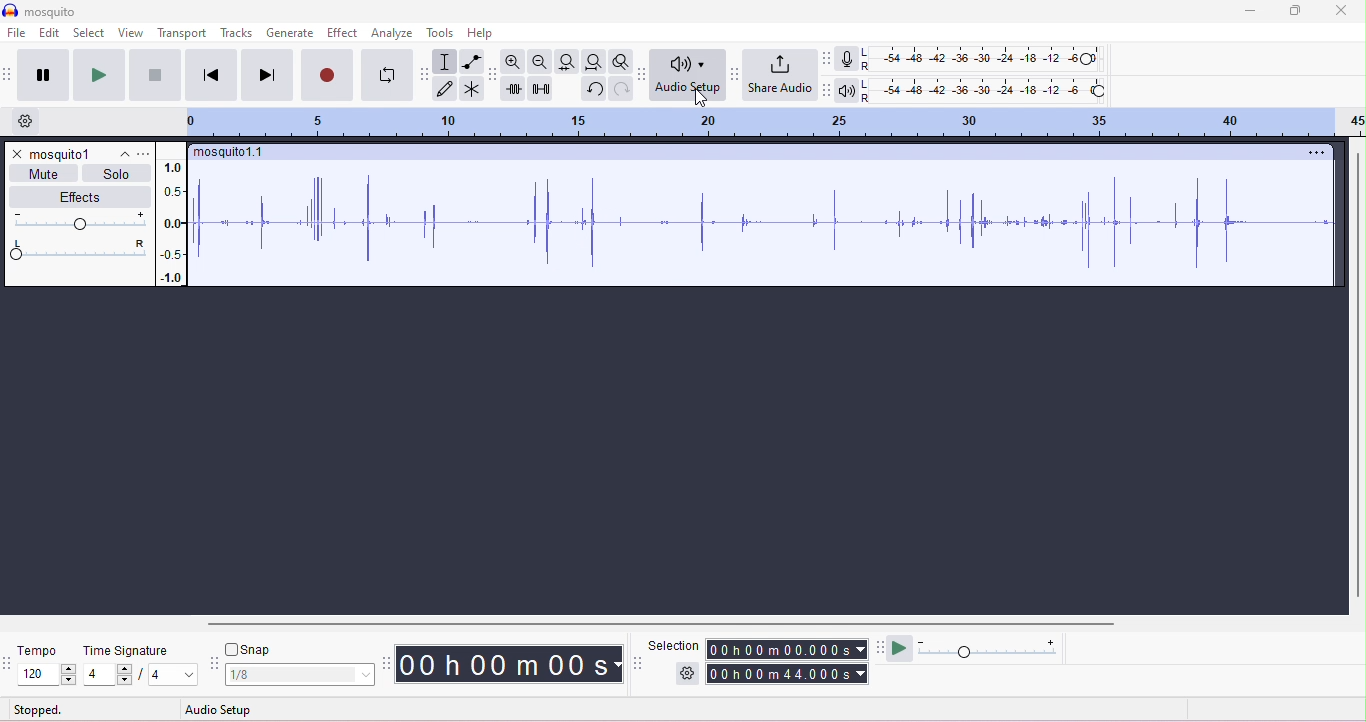  What do you see at coordinates (154, 75) in the screenshot?
I see `stop` at bounding box center [154, 75].